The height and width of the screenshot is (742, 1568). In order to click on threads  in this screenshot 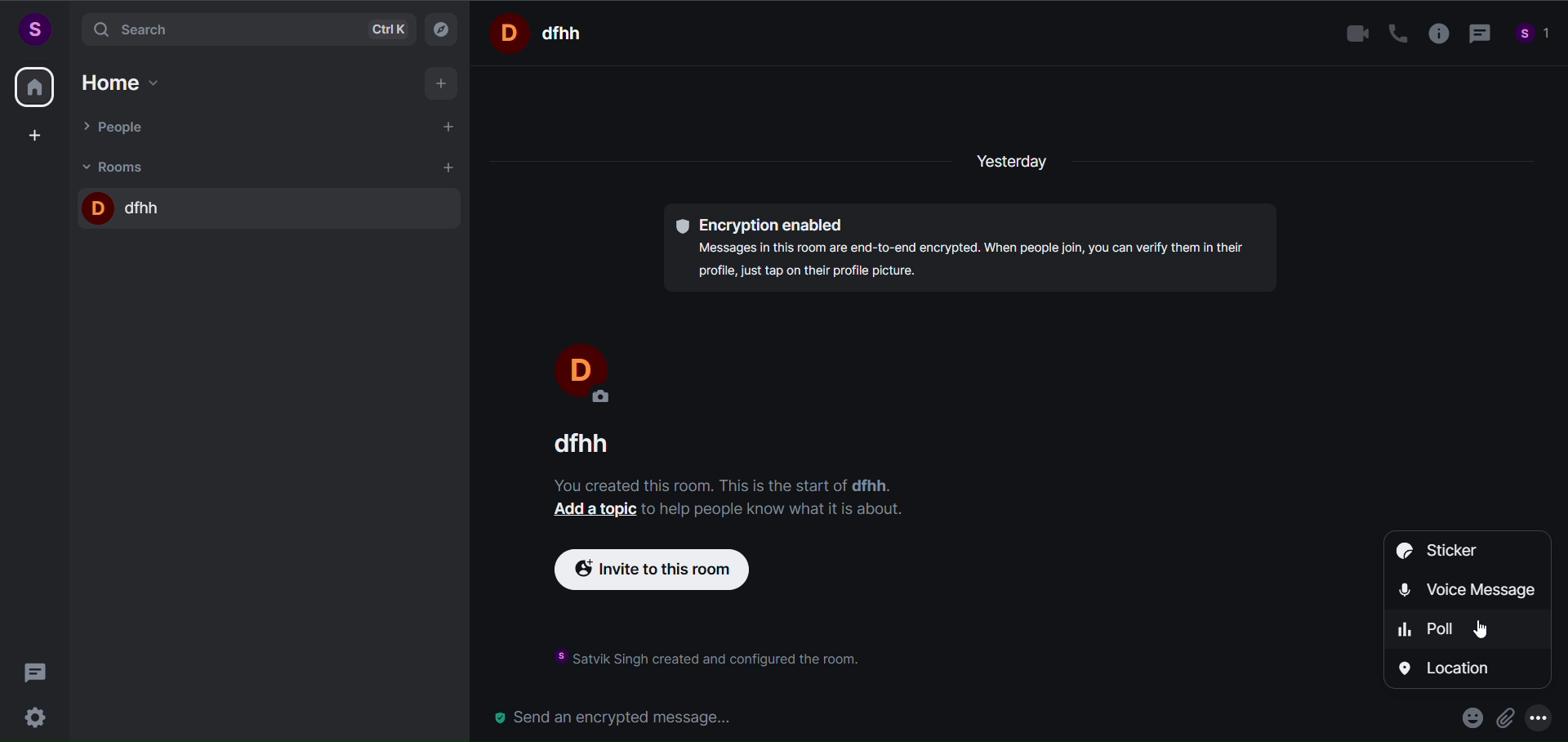, I will do `click(36, 668)`.